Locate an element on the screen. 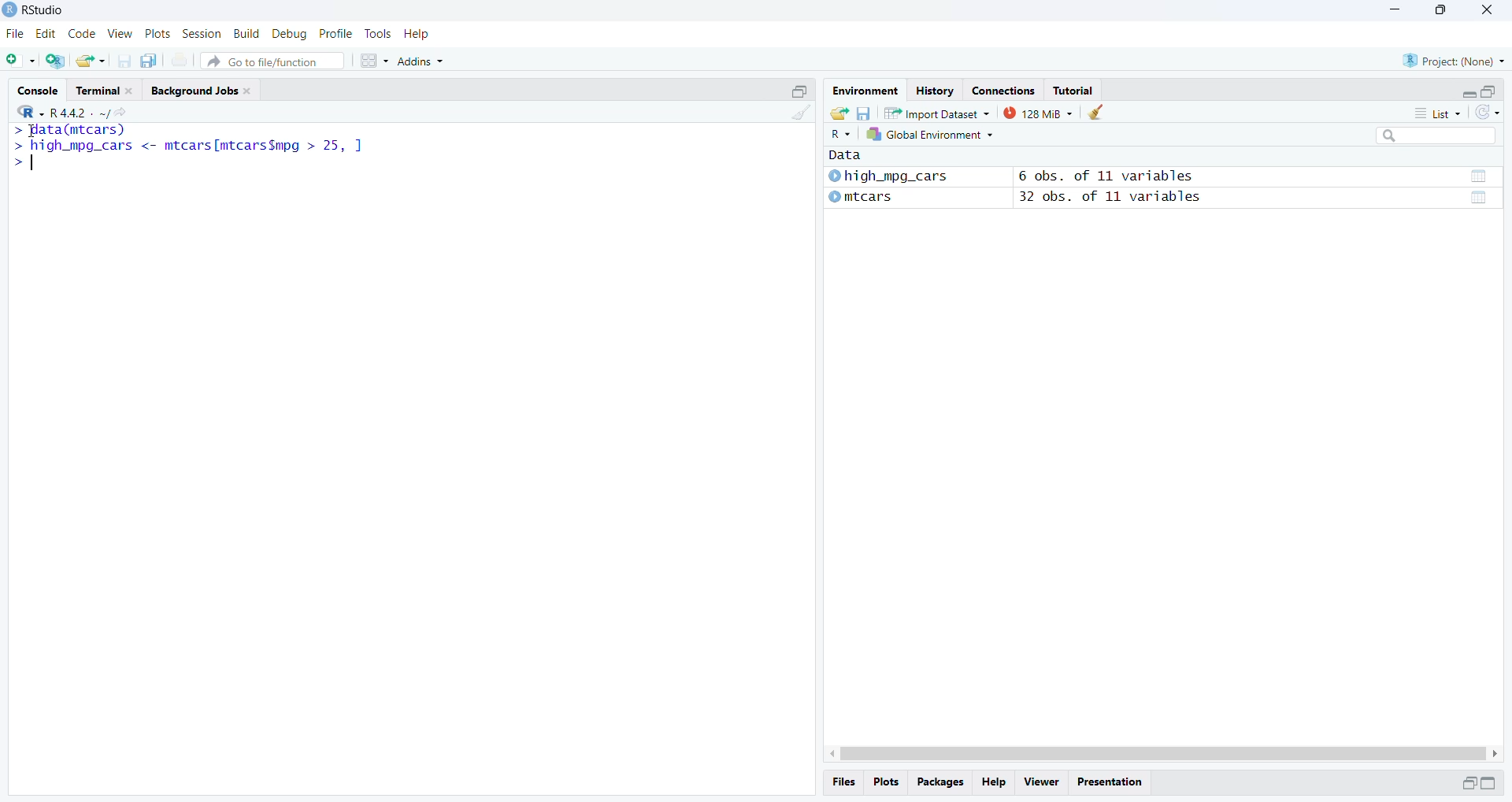 The height and width of the screenshot is (802, 1512). create a project is located at coordinates (57, 61).